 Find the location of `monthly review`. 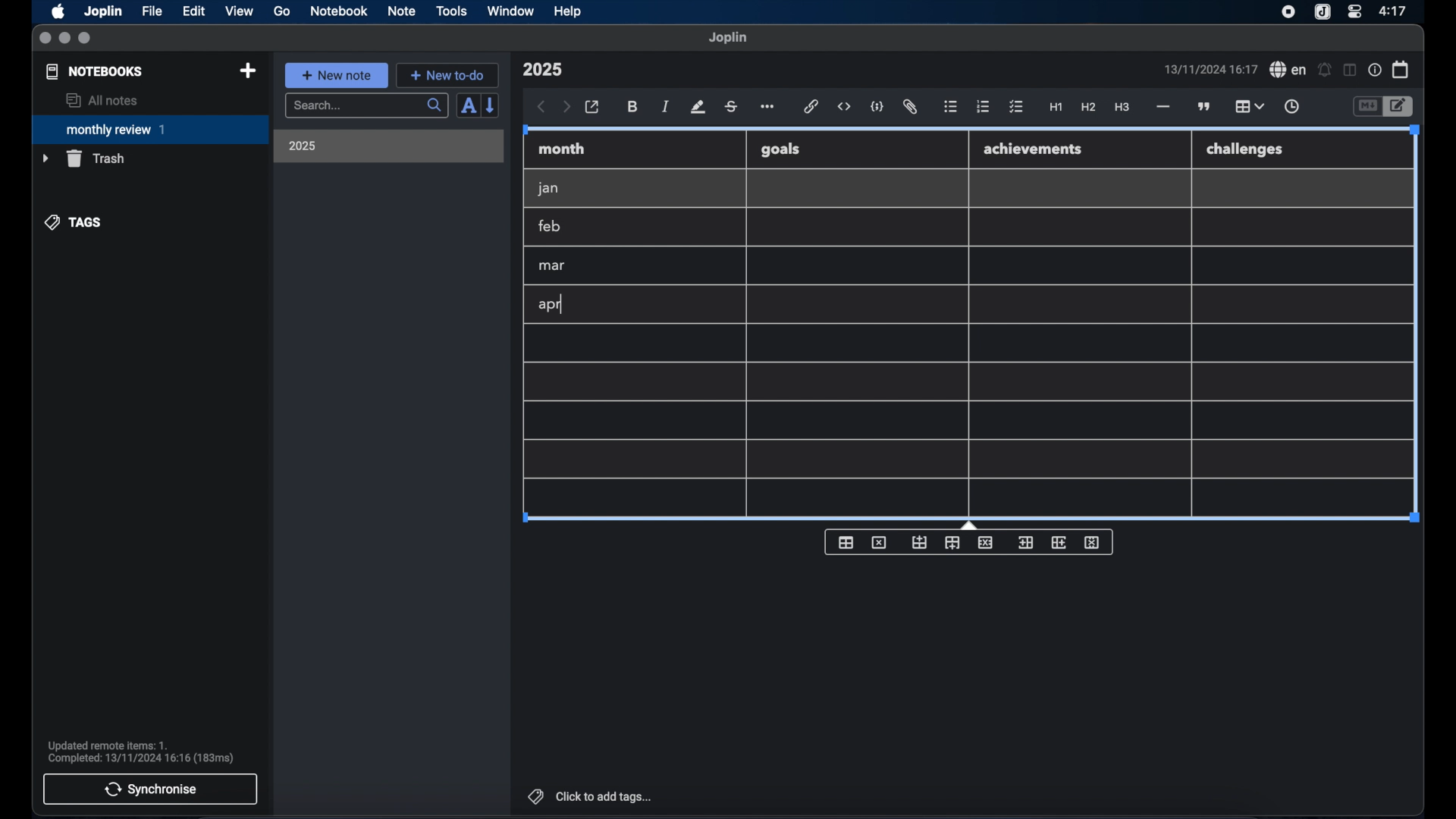

monthly review is located at coordinates (150, 128).